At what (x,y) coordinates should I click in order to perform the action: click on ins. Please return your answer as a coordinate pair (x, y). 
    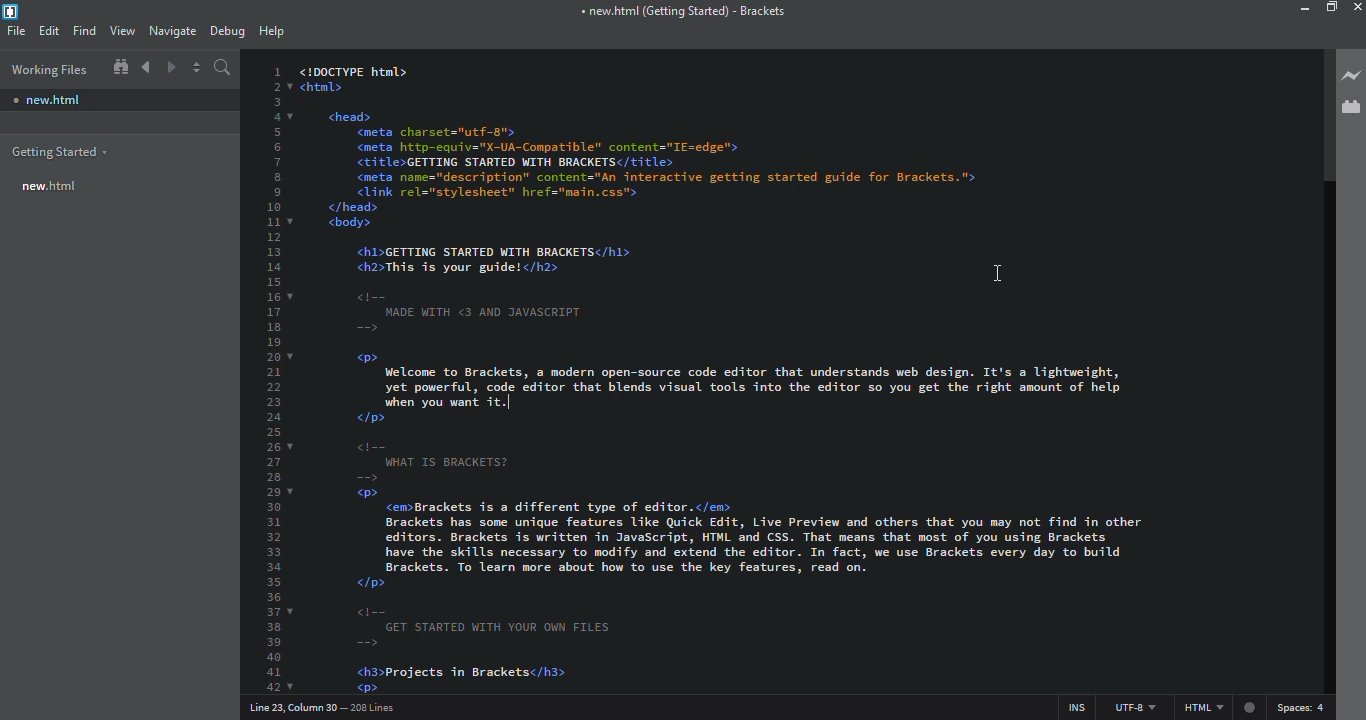
    Looking at the image, I should click on (1070, 703).